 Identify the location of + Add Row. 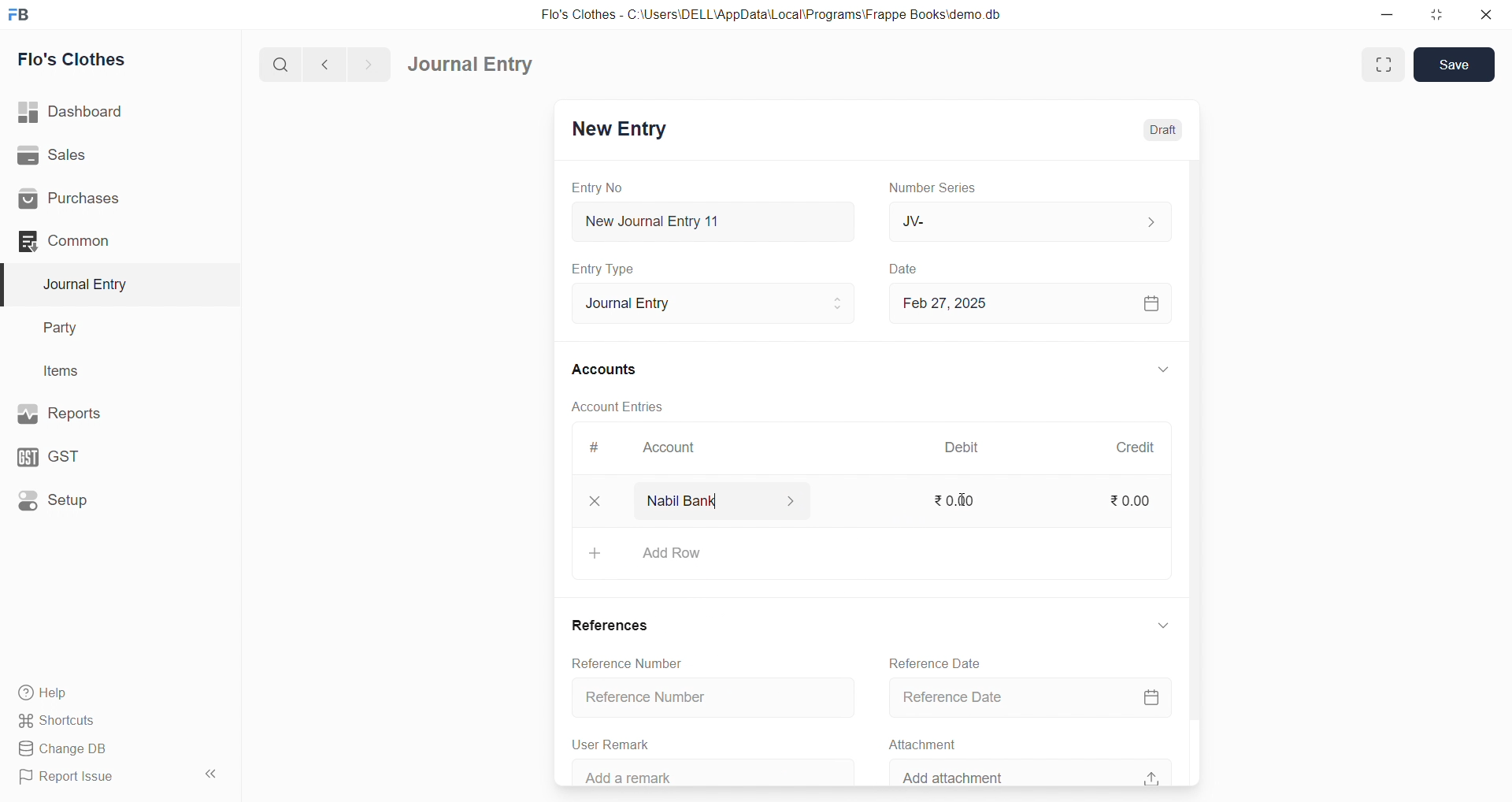
(873, 554).